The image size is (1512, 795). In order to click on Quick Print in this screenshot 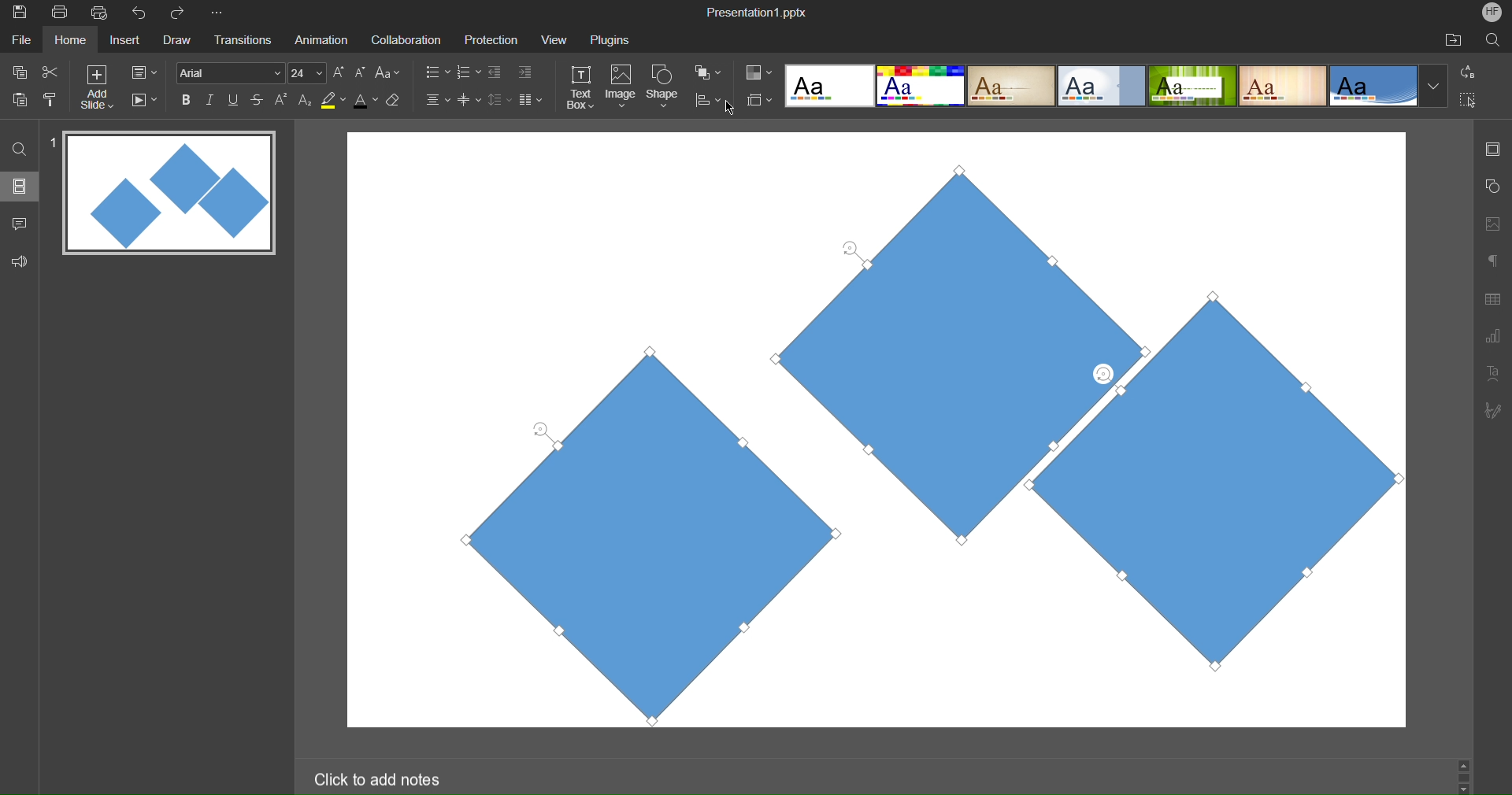, I will do `click(102, 13)`.